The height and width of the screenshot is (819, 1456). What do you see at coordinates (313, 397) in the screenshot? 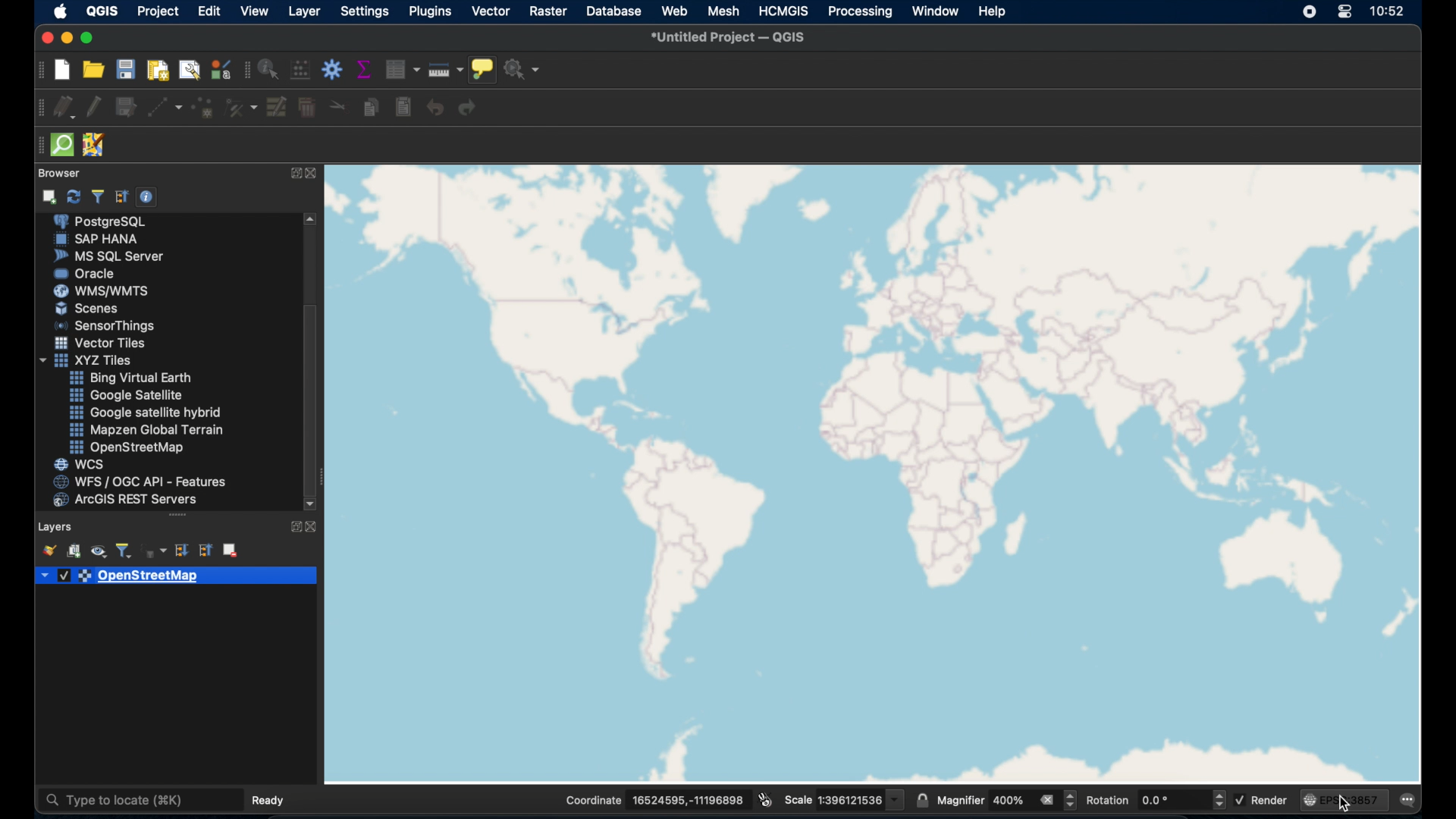
I see `scroll box` at bounding box center [313, 397].